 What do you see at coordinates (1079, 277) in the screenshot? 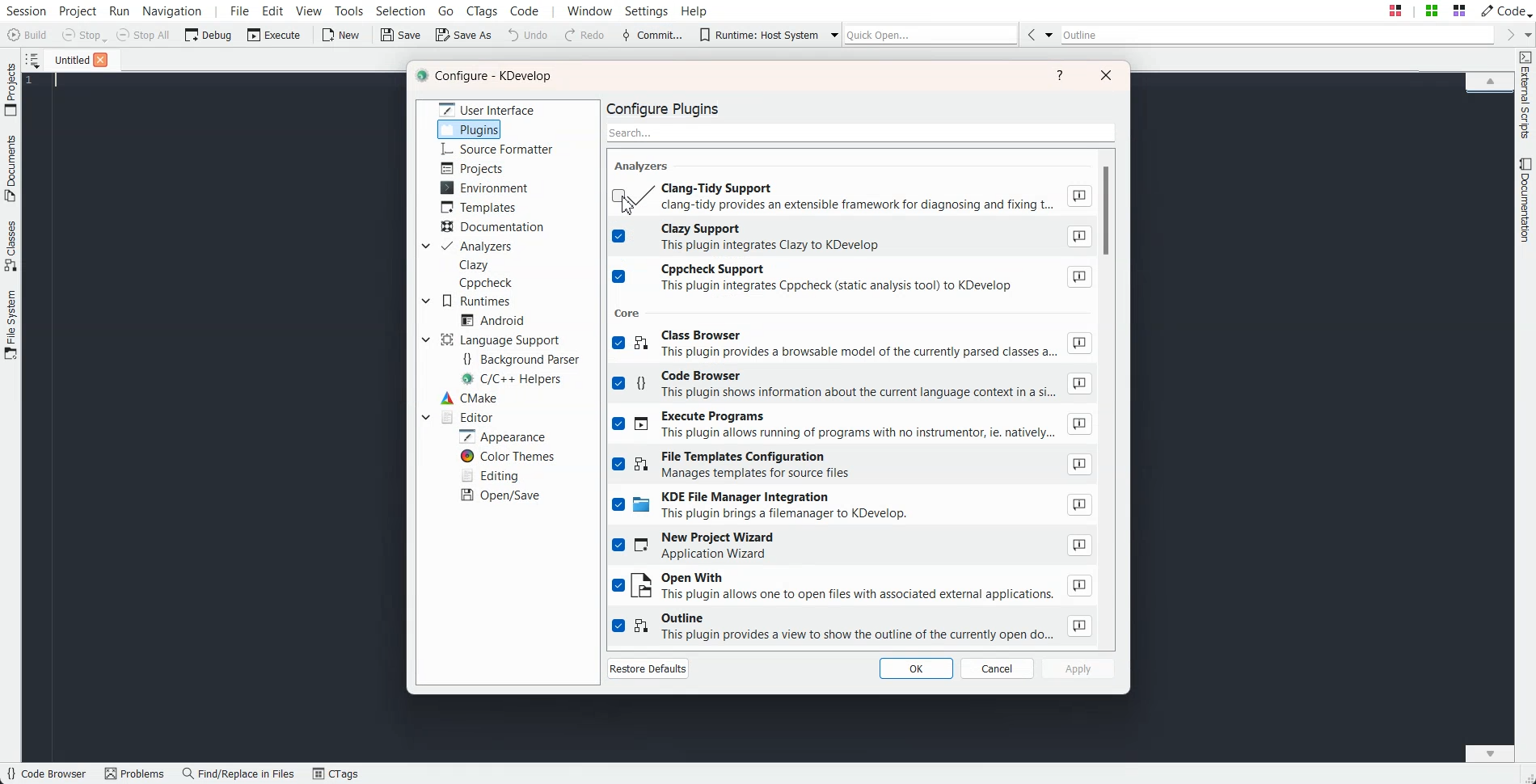
I see `About` at bounding box center [1079, 277].